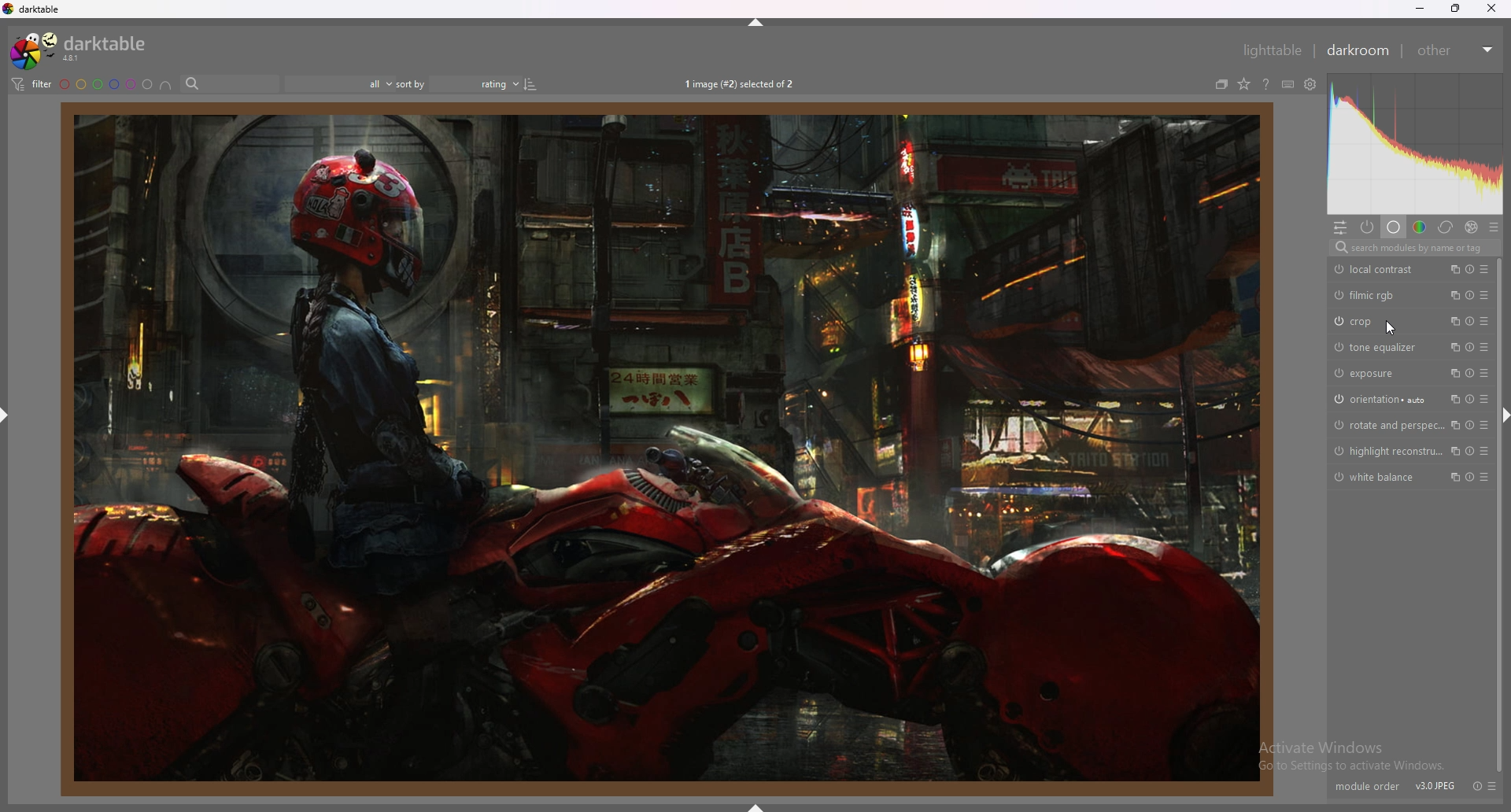 This screenshot has width=1511, height=812. What do you see at coordinates (1470, 477) in the screenshot?
I see `reset` at bounding box center [1470, 477].